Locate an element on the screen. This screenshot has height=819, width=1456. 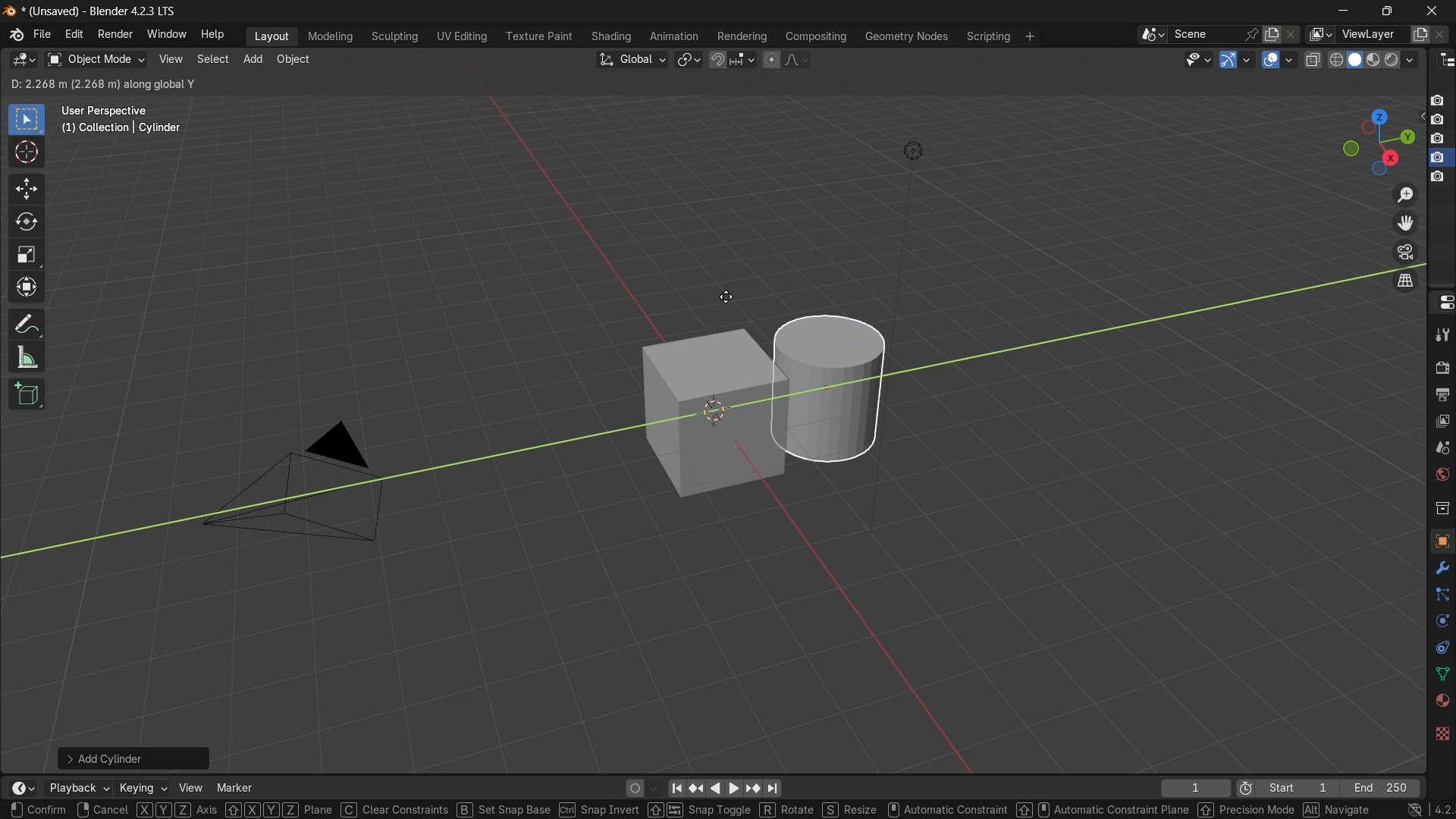
unsaved blender 4.2.3 lts is located at coordinates (105, 10).